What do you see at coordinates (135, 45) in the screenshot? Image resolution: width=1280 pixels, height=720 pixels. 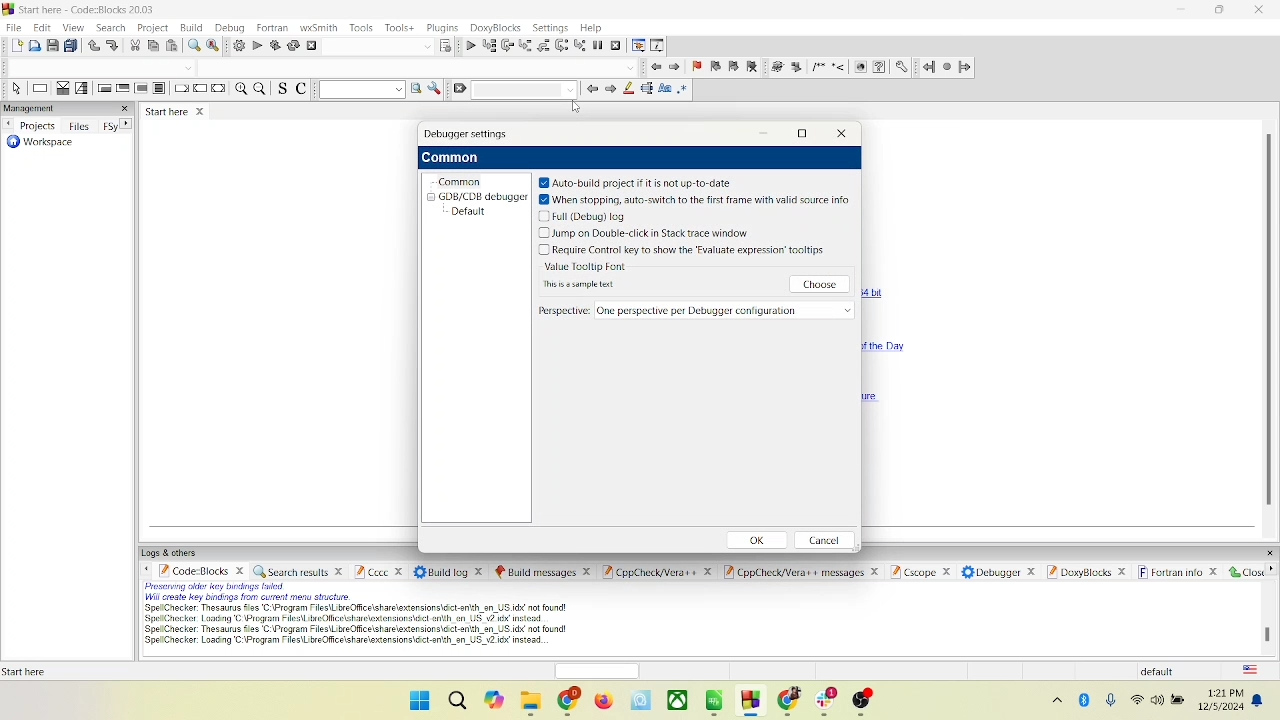 I see `cut` at bounding box center [135, 45].